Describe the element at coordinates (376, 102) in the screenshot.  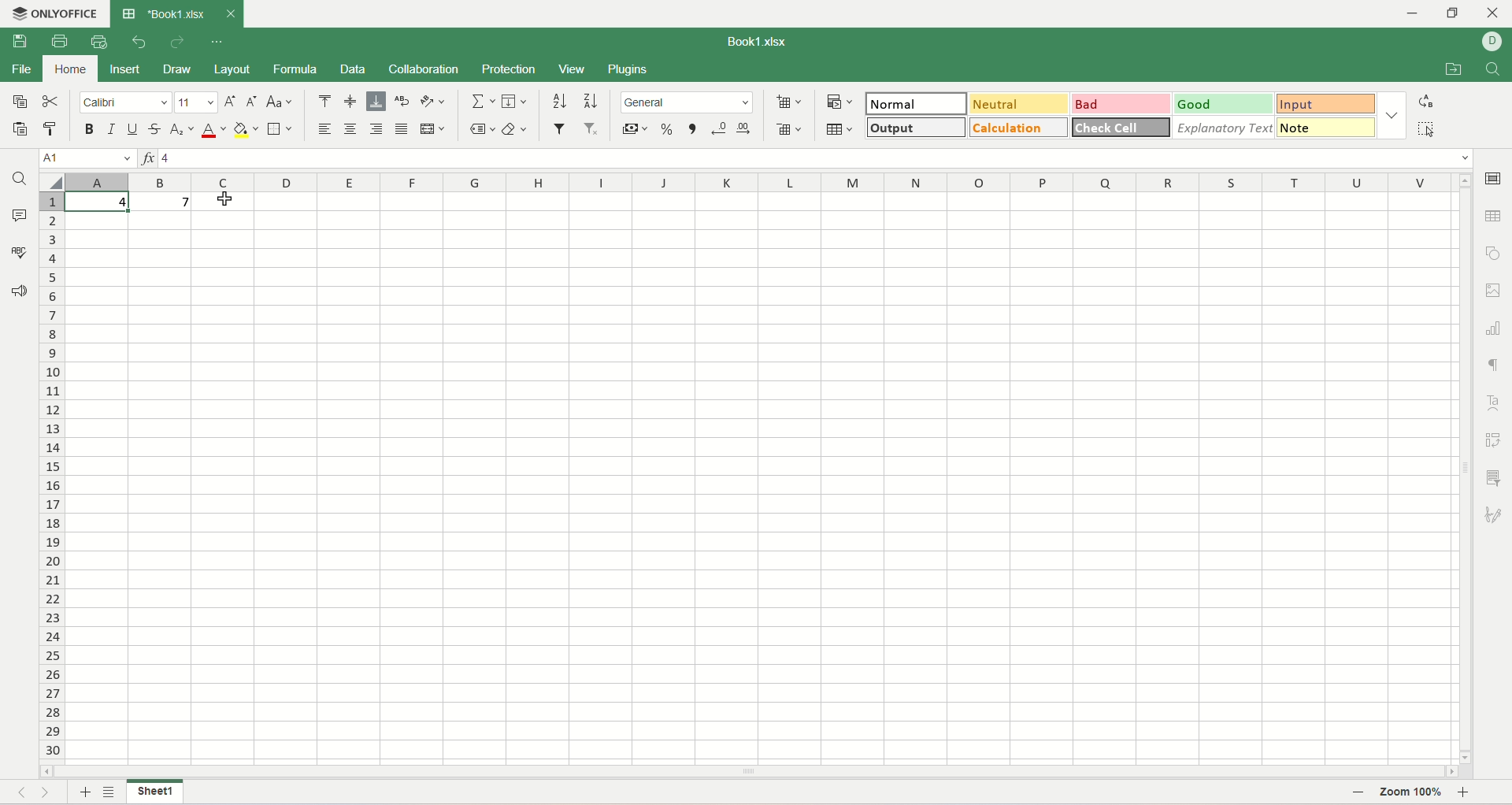
I see `align bottom` at that location.